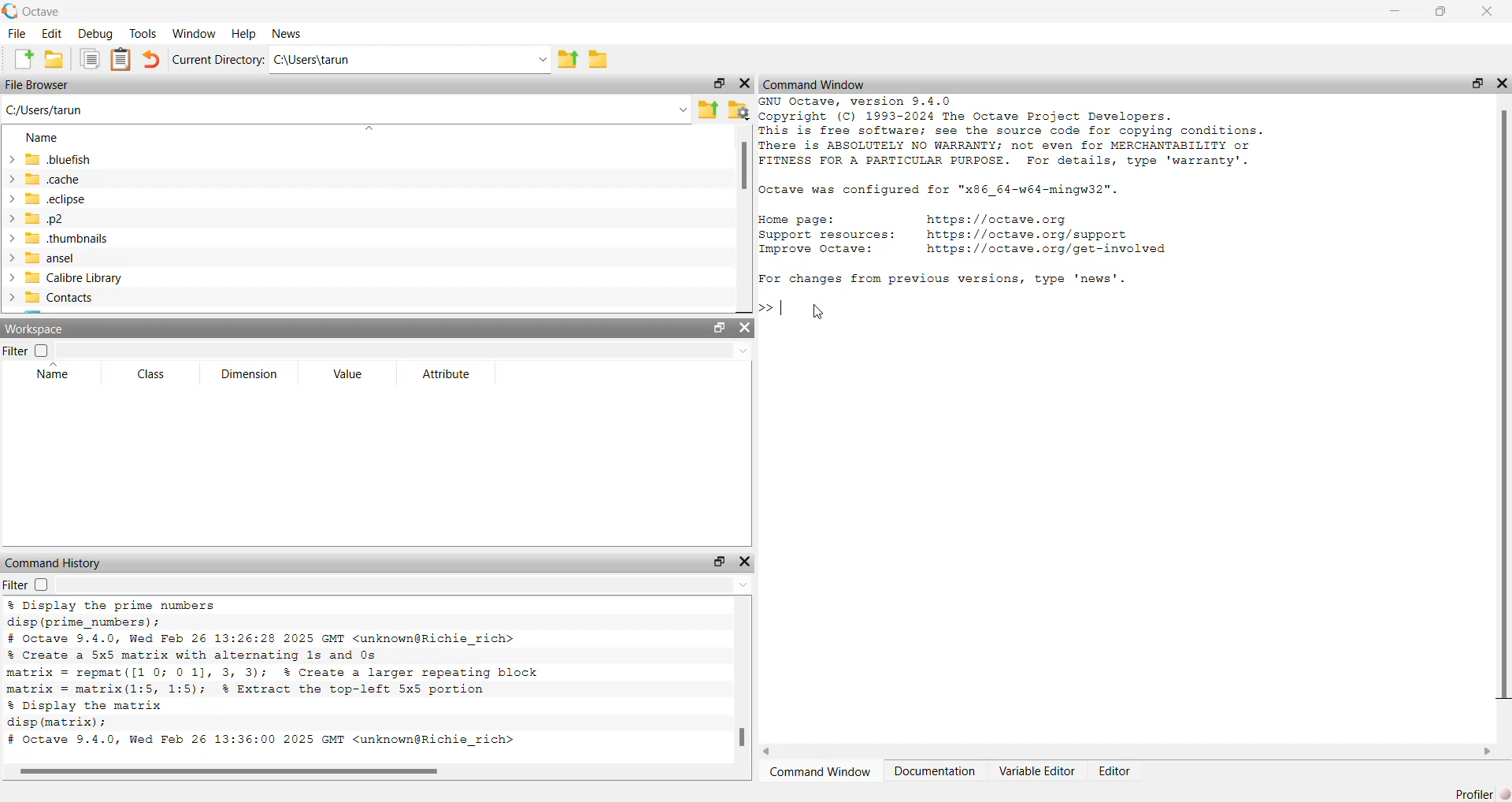  I want to click on filter, so click(25, 585).